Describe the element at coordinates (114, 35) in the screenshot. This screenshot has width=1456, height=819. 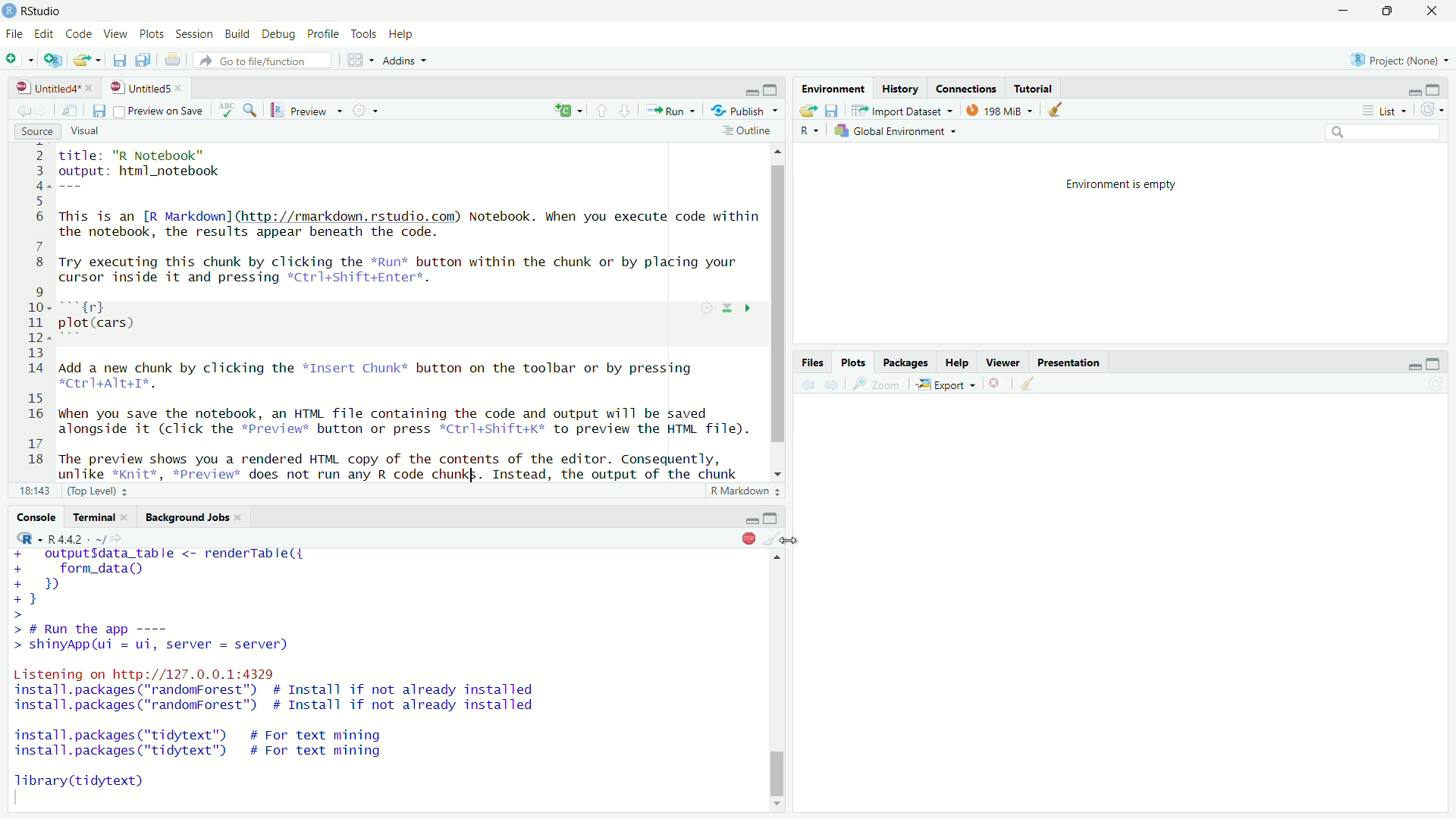
I see `View` at that location.